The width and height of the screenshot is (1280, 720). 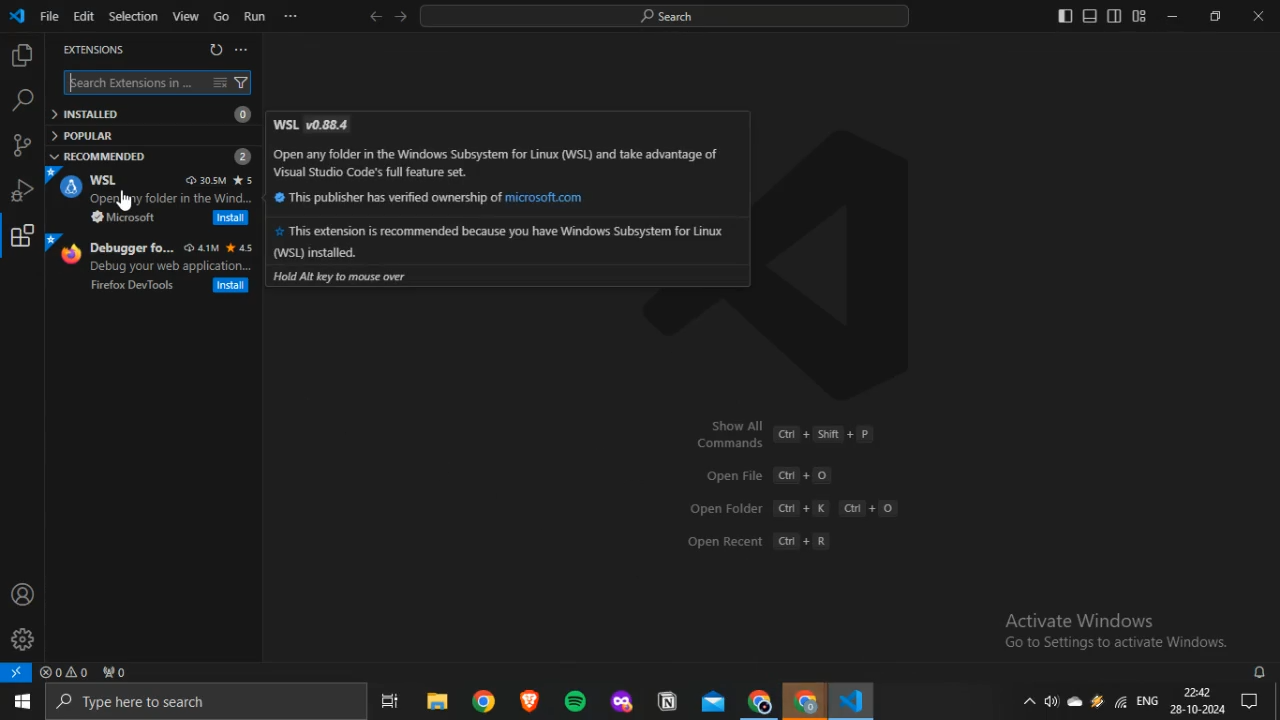 What do you see at coordinates (92, 51) in the screenshot?
I see `EXTENSIONS` at bounding box center [92, 51].